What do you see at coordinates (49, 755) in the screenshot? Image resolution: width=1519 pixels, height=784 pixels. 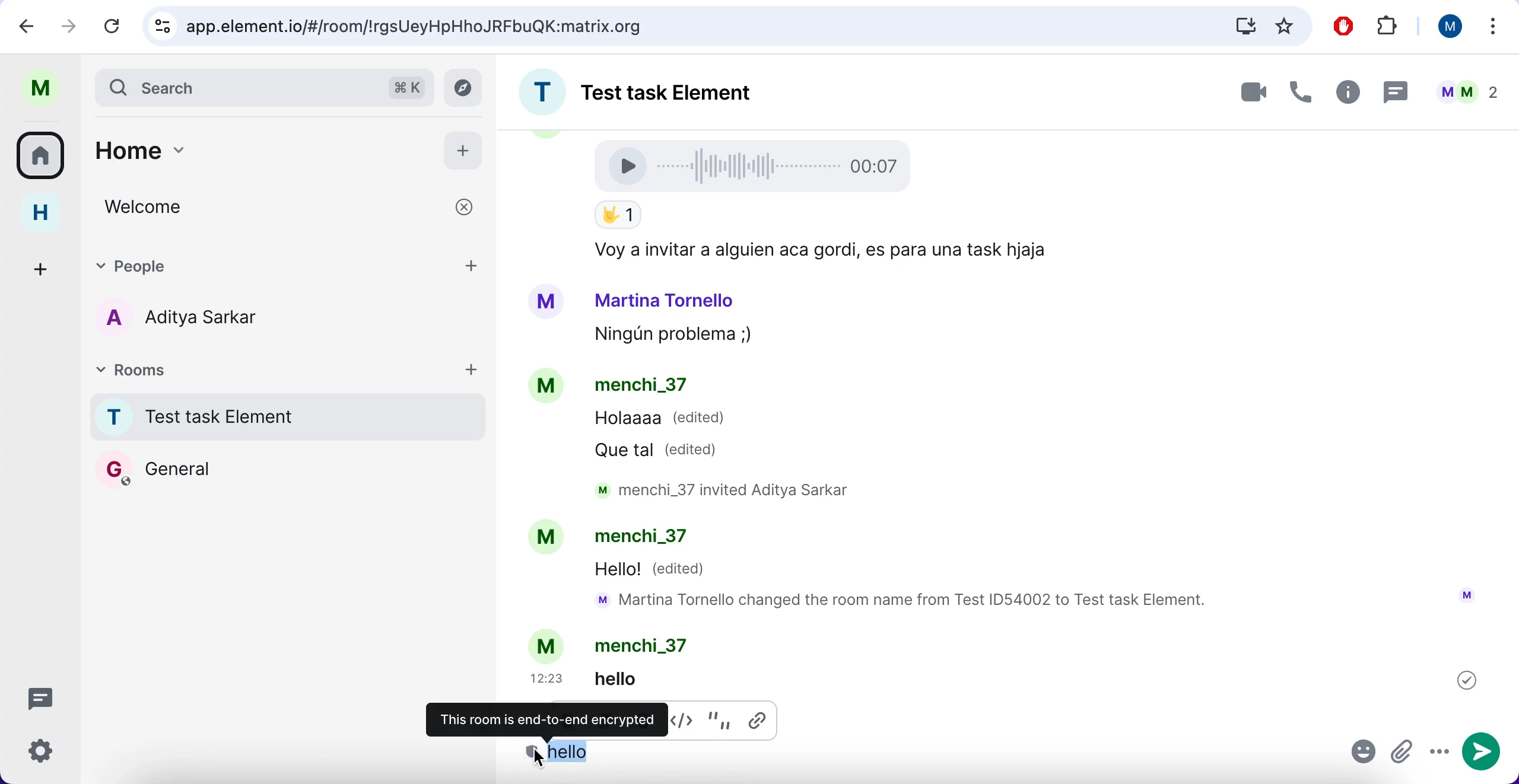 I see `quick settings` at bounding box center [49, 755].